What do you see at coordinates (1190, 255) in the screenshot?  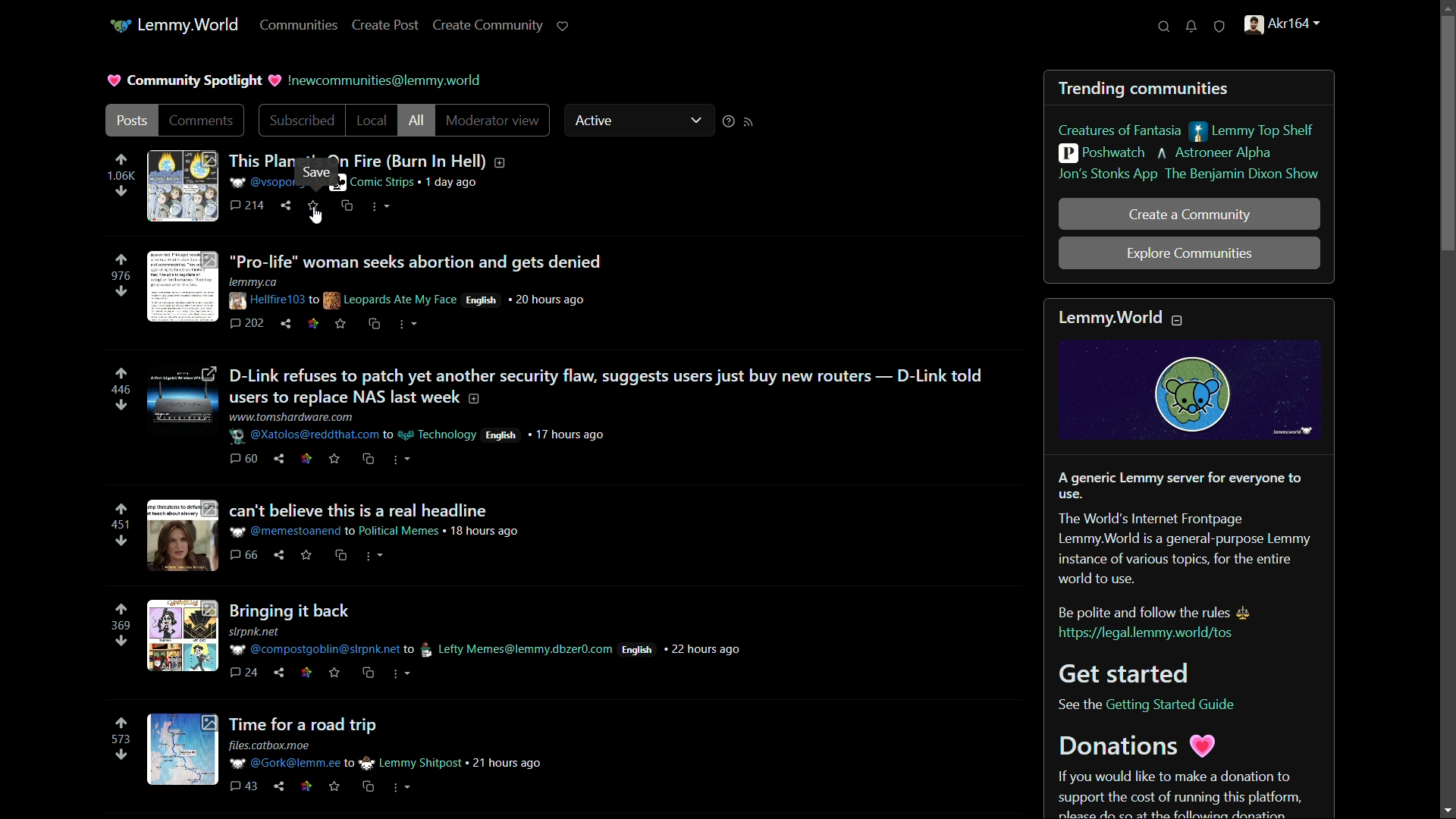 I see `explore communities` at bounding box center [1190, 255].